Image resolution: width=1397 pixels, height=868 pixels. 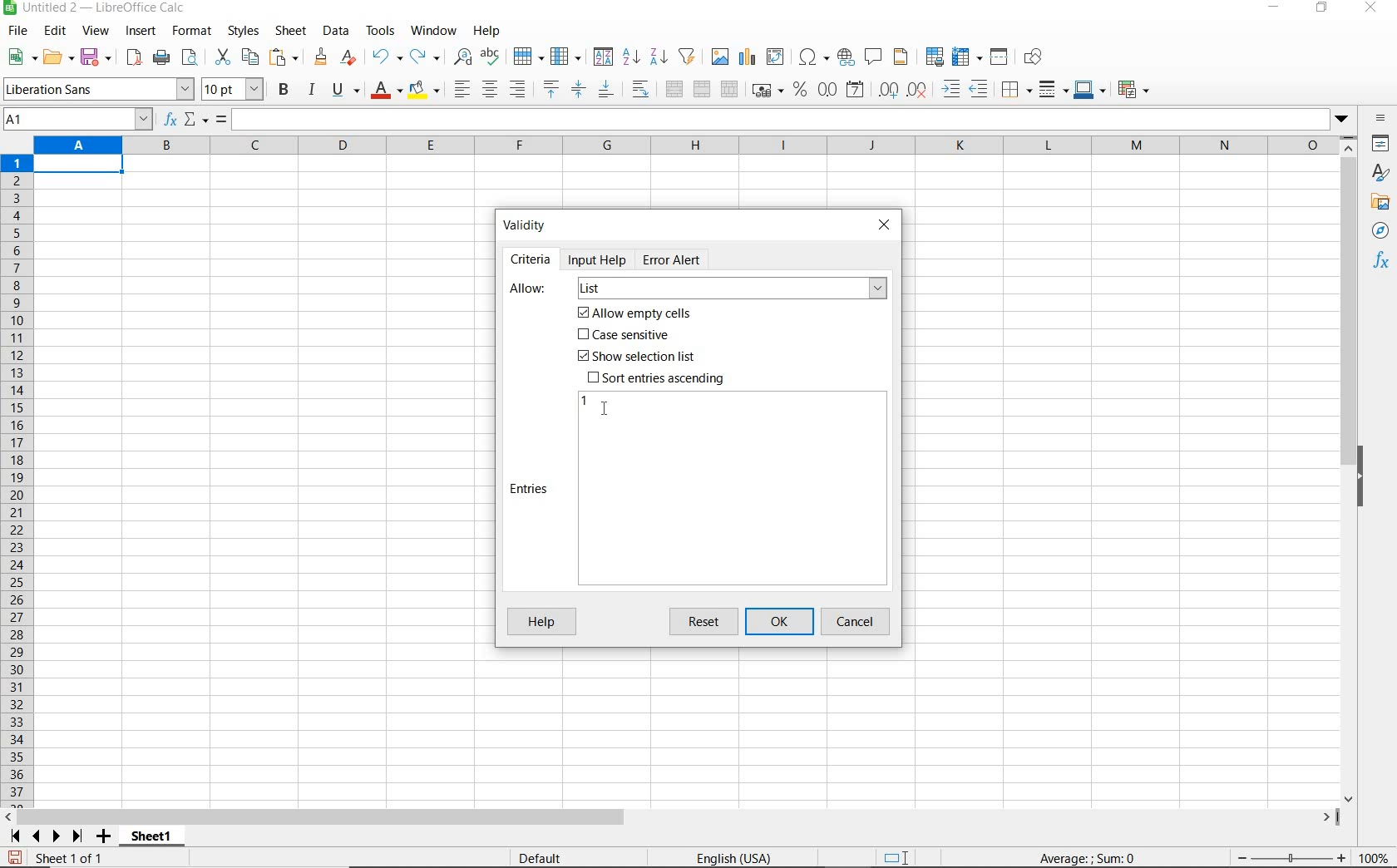 I want to click on merge cells, so click(x=703, y=87).